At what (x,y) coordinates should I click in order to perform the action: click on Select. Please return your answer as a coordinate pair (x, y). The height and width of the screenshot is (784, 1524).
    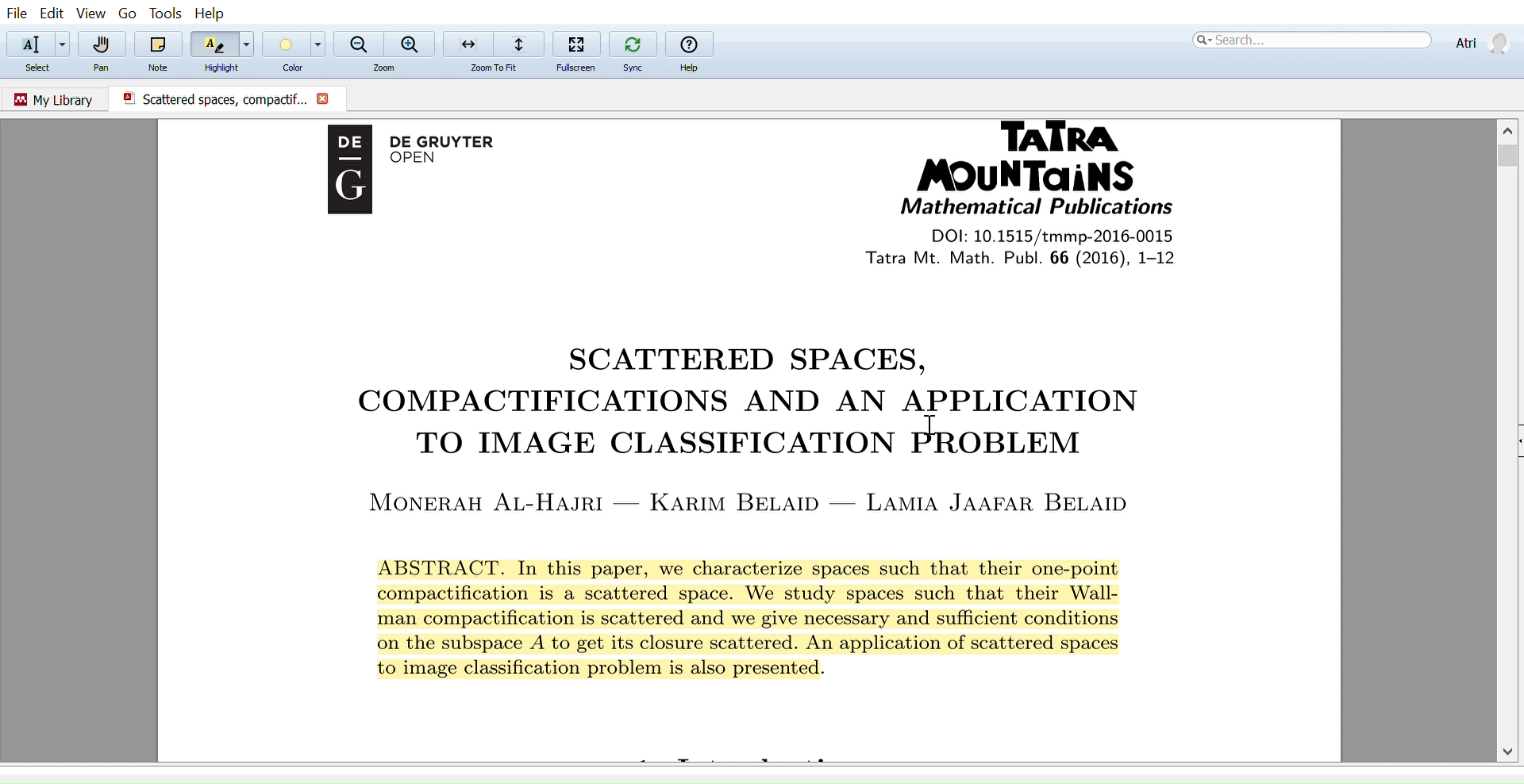
    Looking at the image, I should click on (44, 69).